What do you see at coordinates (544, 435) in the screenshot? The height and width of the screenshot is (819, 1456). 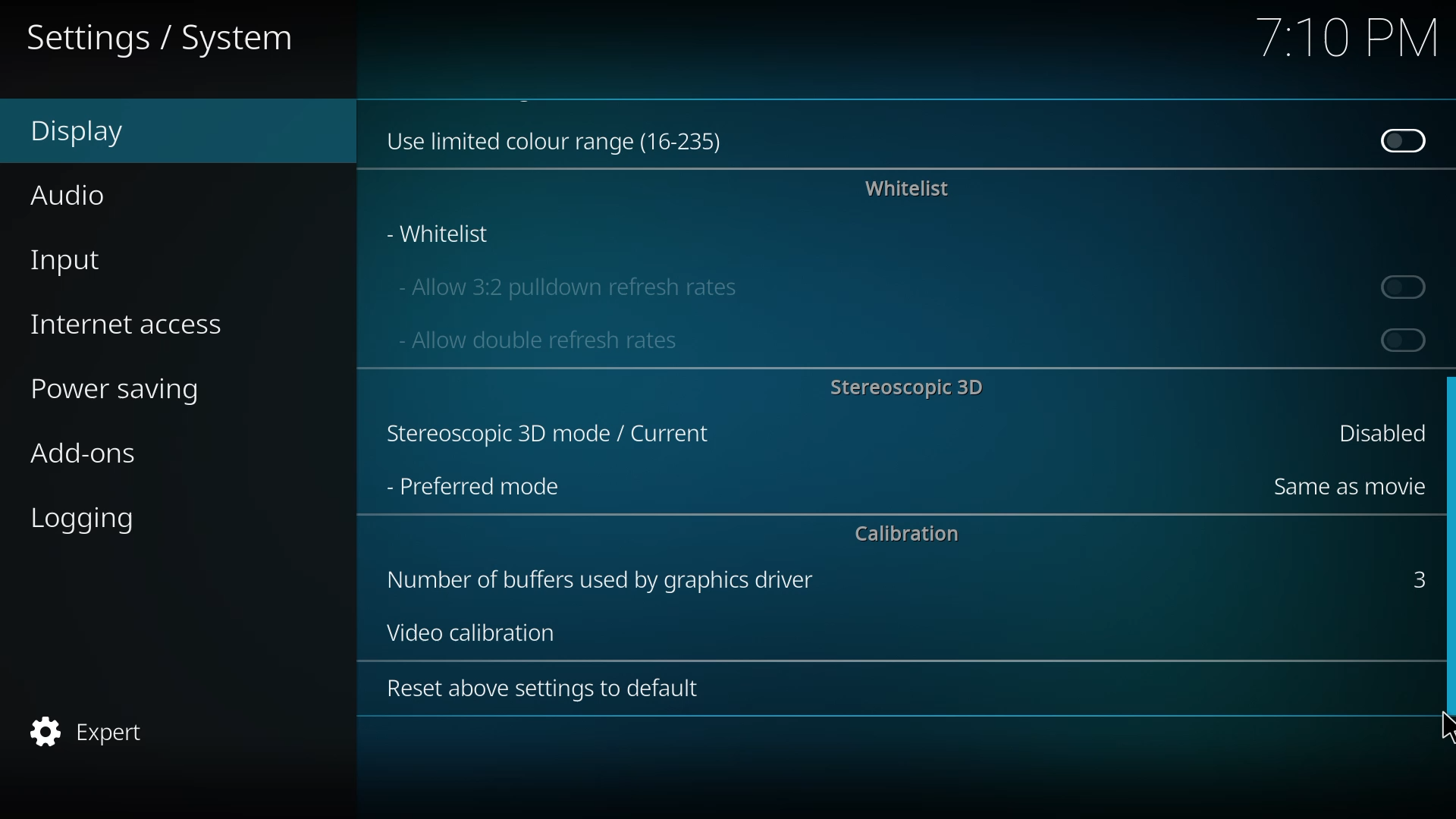 I see `stereoscopic 3d` at bounding box center [544, 435].